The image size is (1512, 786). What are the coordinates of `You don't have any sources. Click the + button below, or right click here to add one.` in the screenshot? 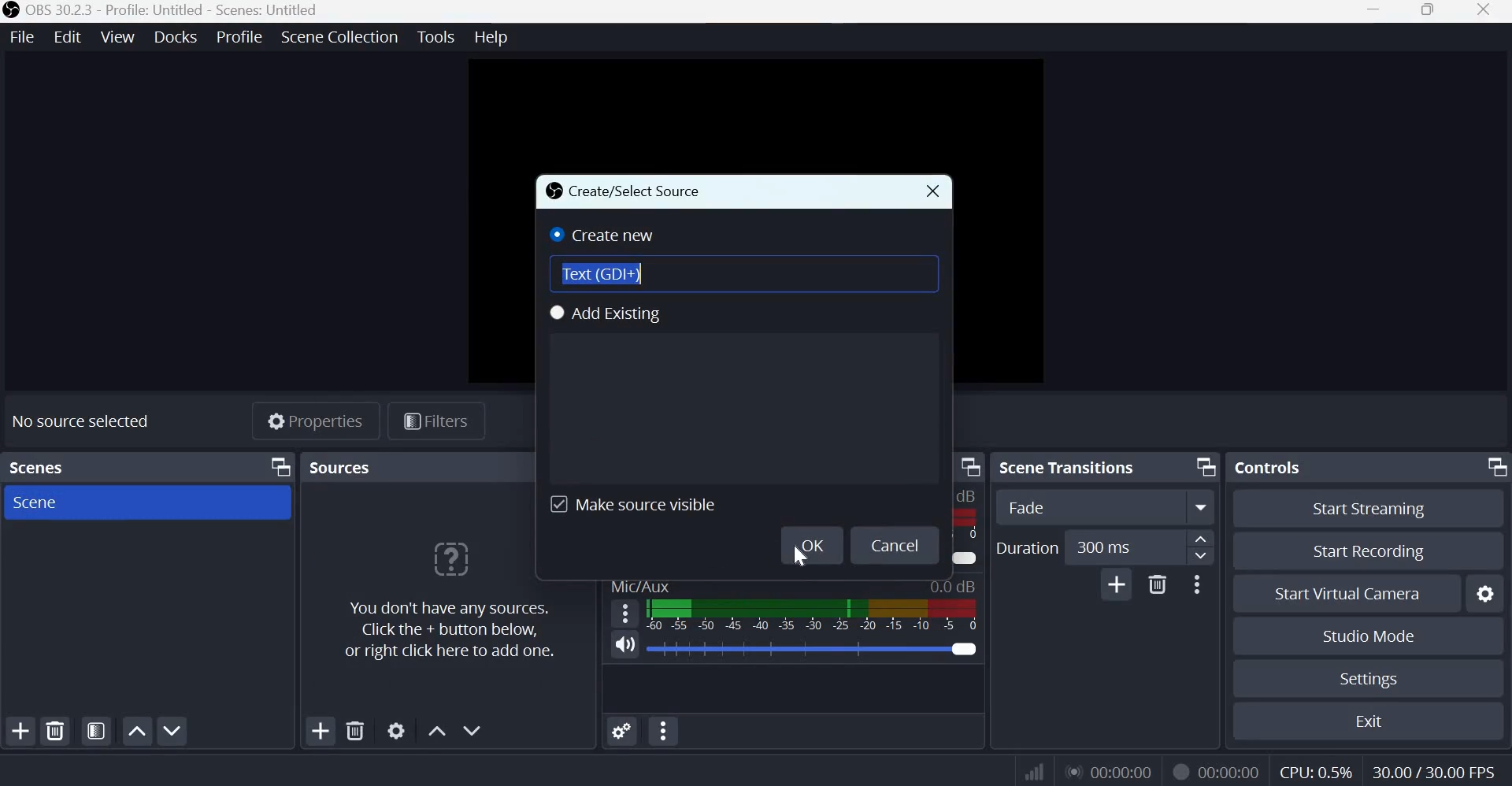 It's located at (450, 598).